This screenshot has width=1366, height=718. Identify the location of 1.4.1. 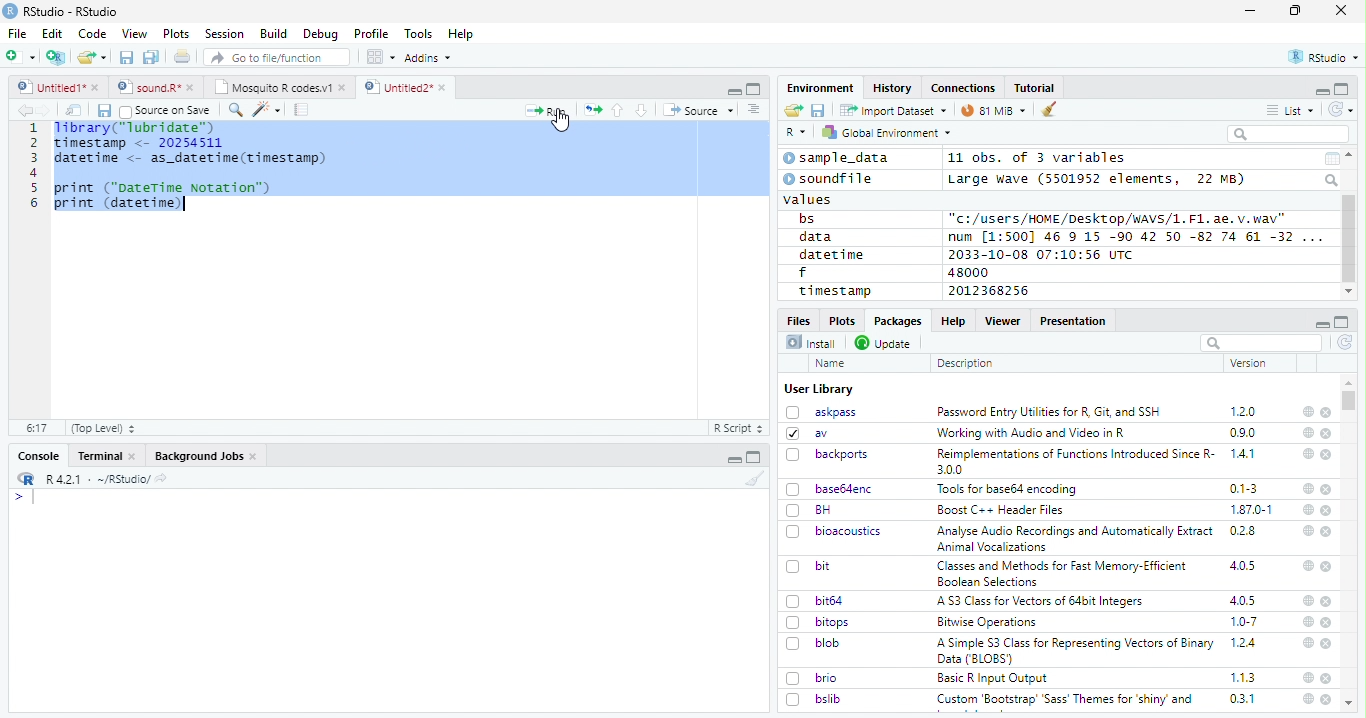
(1244, 453).